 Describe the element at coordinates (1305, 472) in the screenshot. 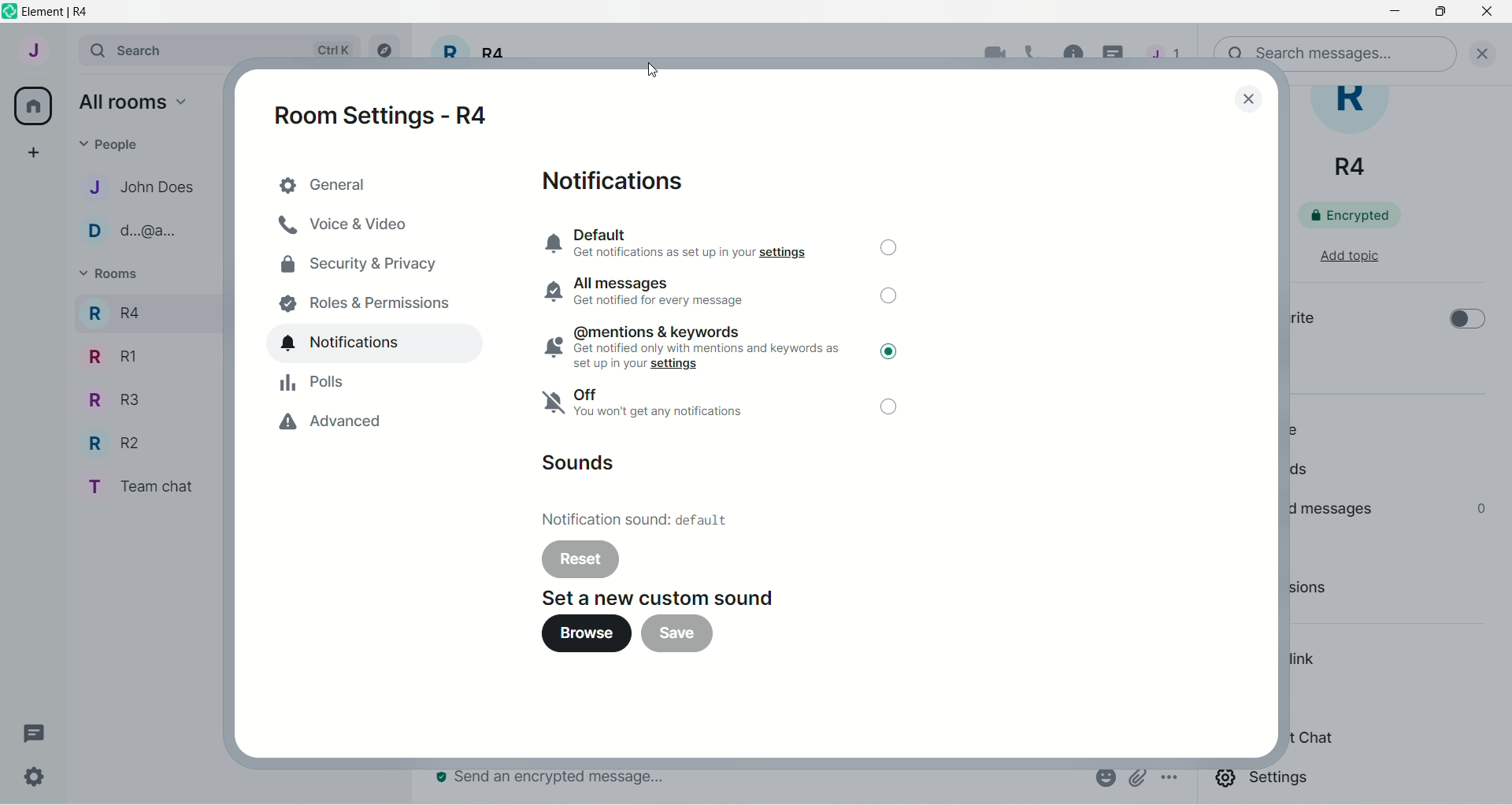

I see `threads` at that location.